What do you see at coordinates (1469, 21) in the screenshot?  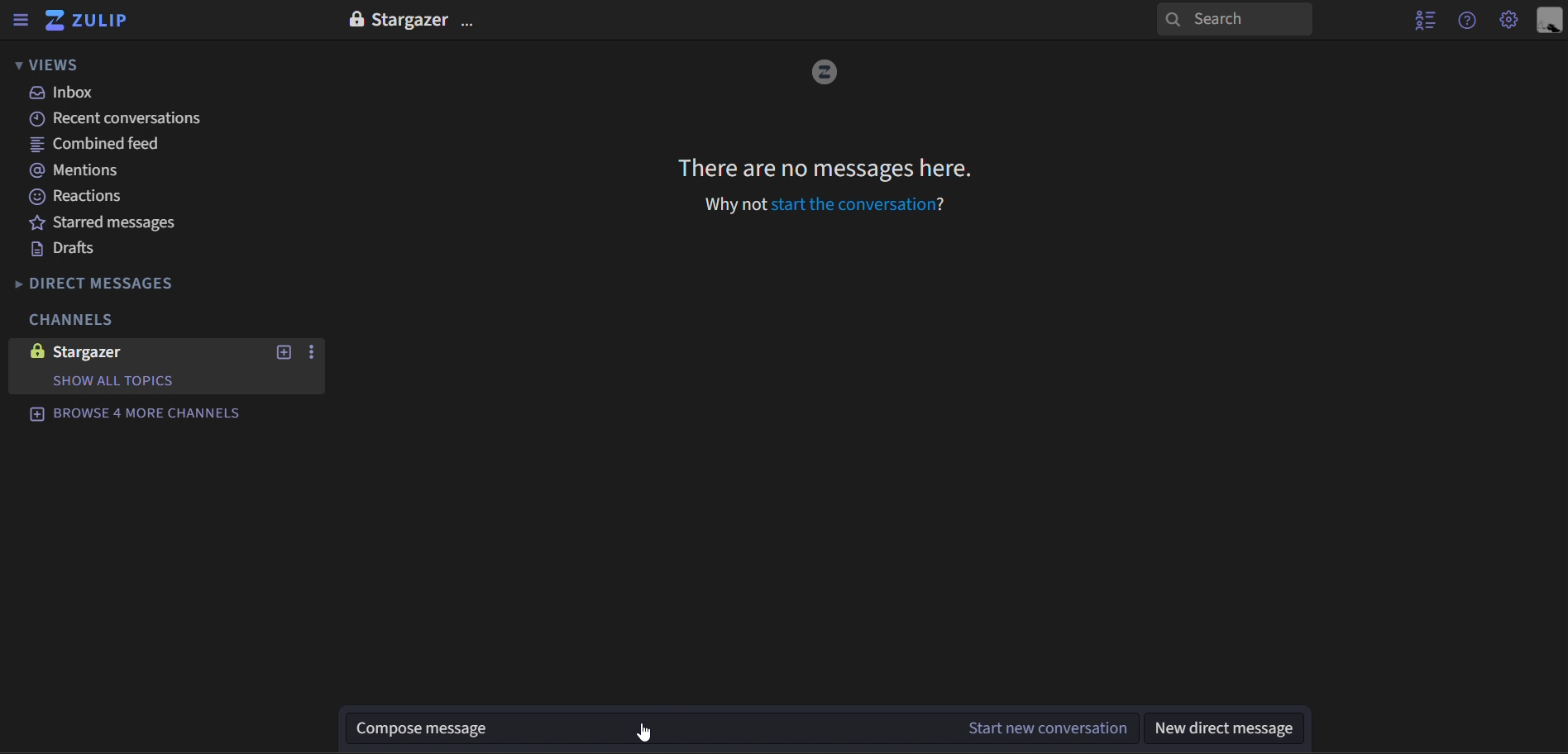 I see `get help` at bounding box center [1469, 21].